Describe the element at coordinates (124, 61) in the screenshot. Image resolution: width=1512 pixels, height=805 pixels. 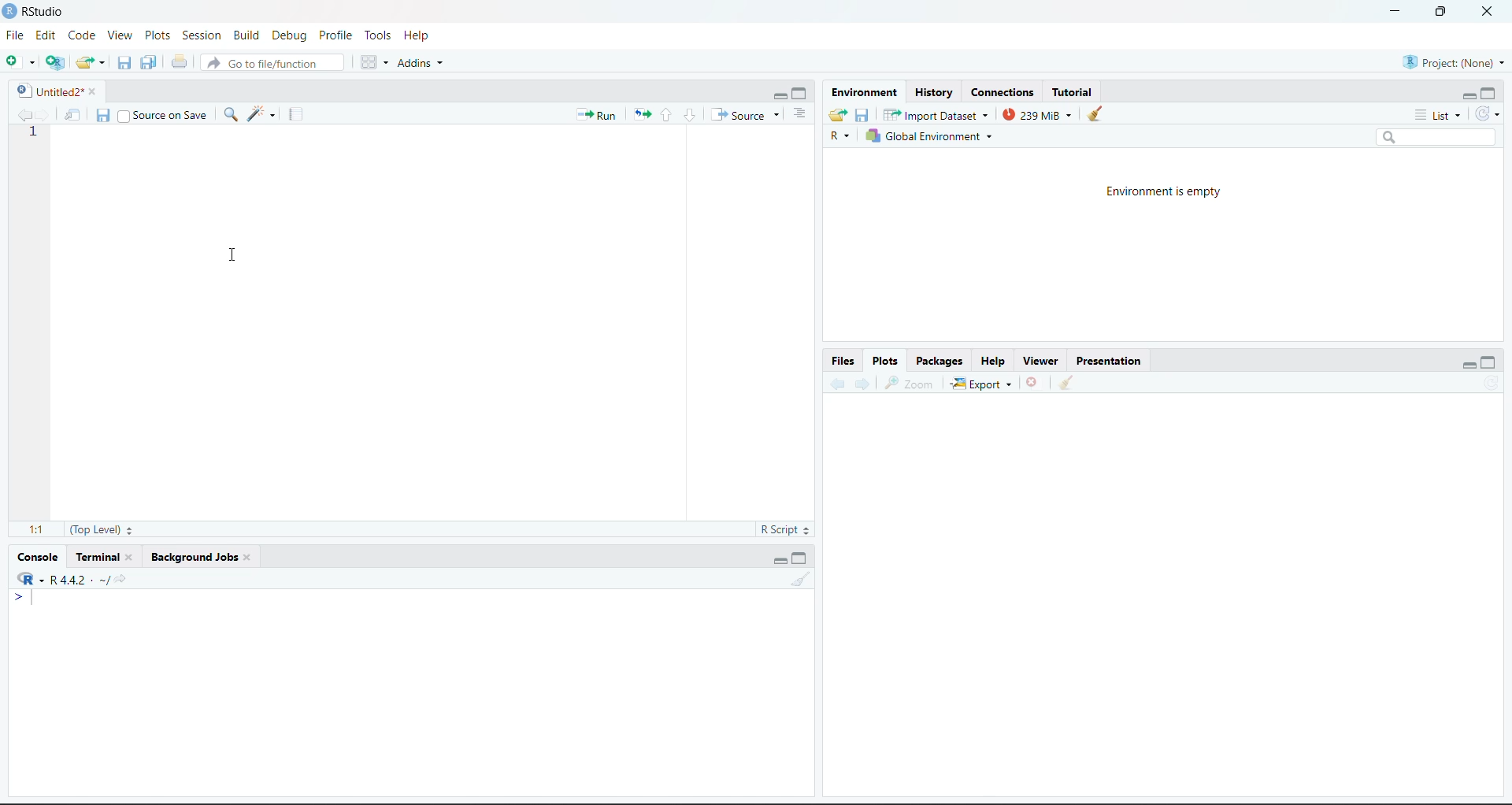
I see `Save current document (Ctrl + S)` at that location.